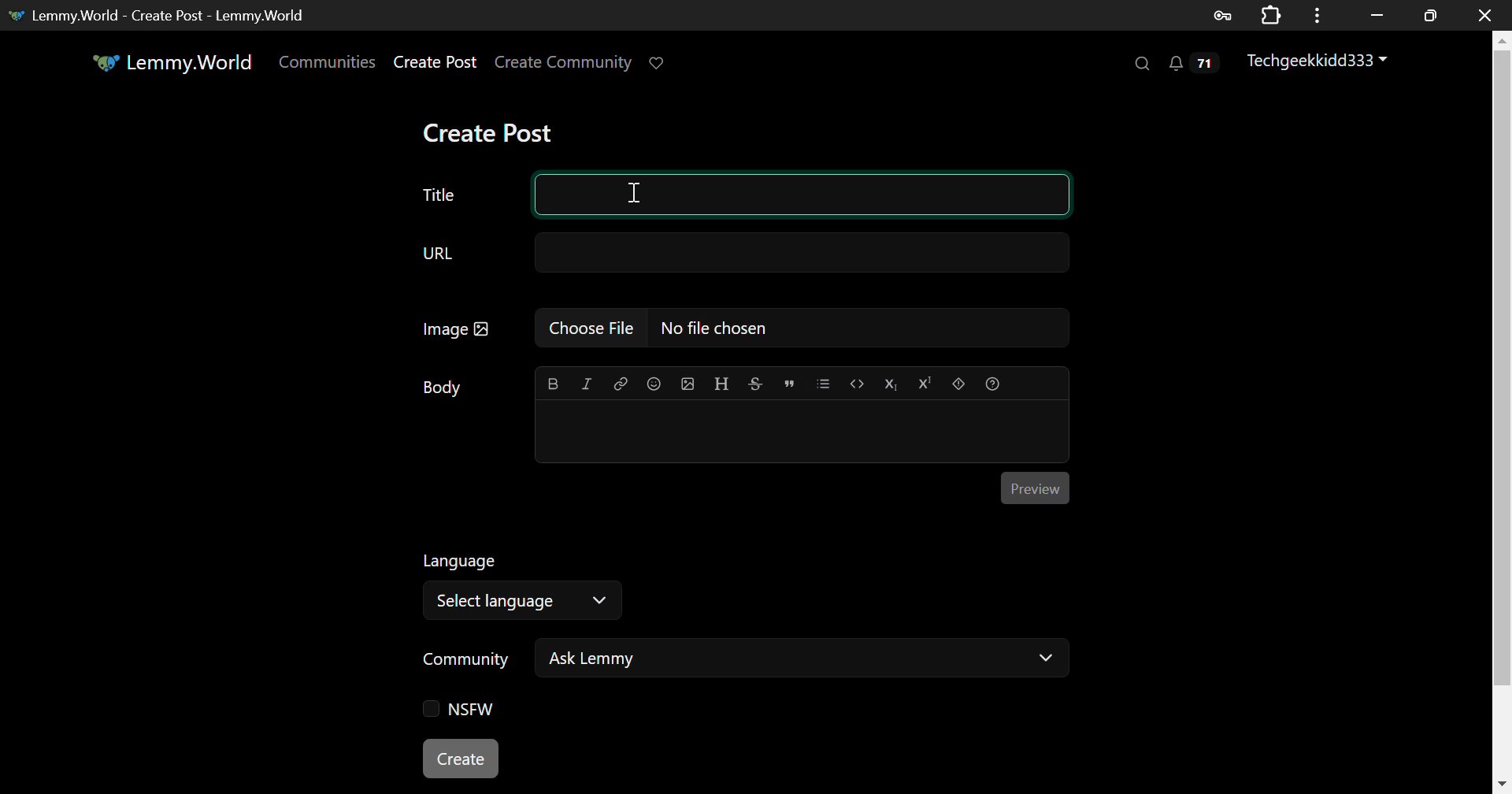  Describe the element at coordinates (738, 334) in the screenshot. I see `Image Field` at that location.